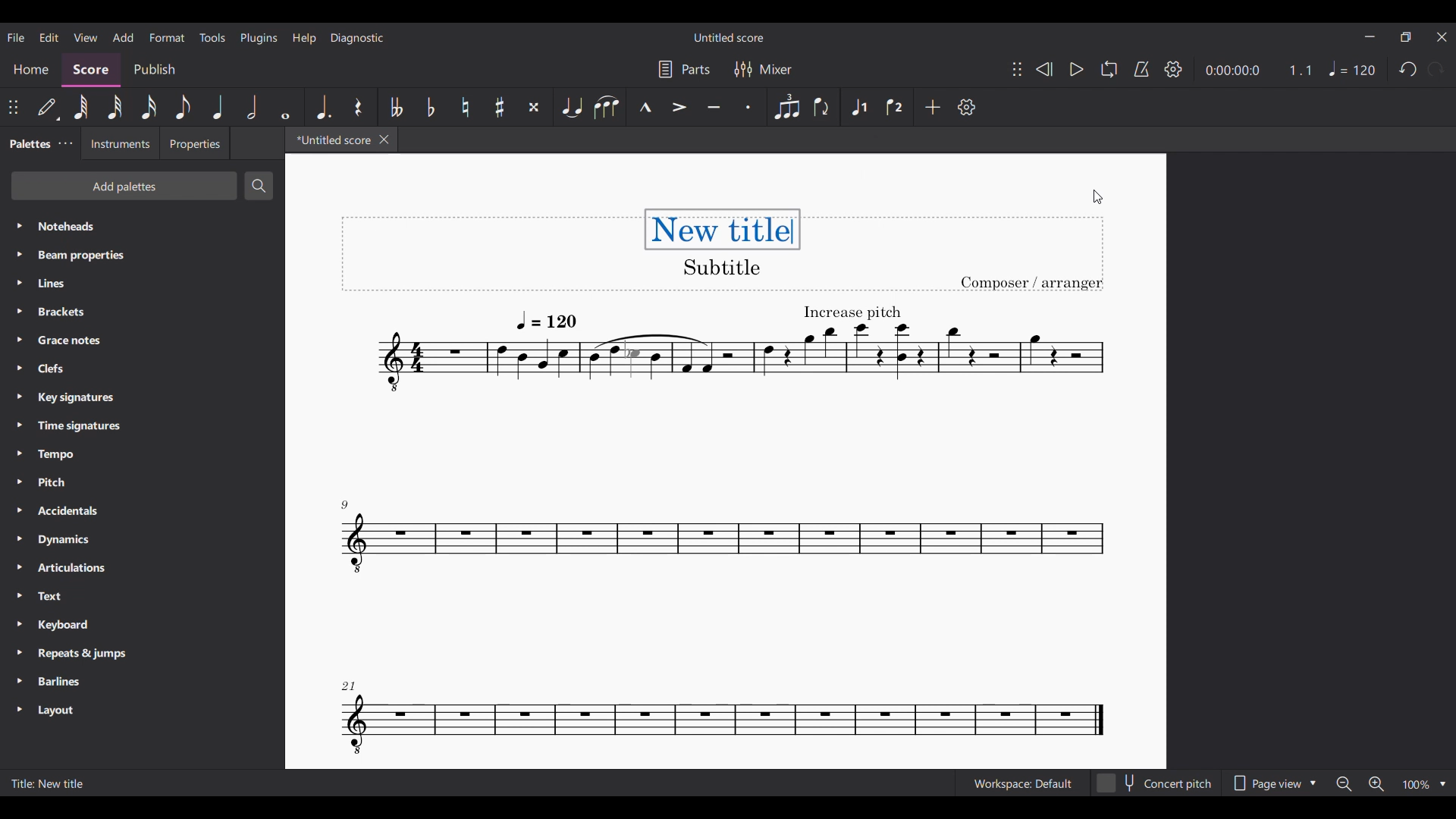 The width and height of the screenshot is (1456, 819). I want to click on 16th note, so click(149, 107).